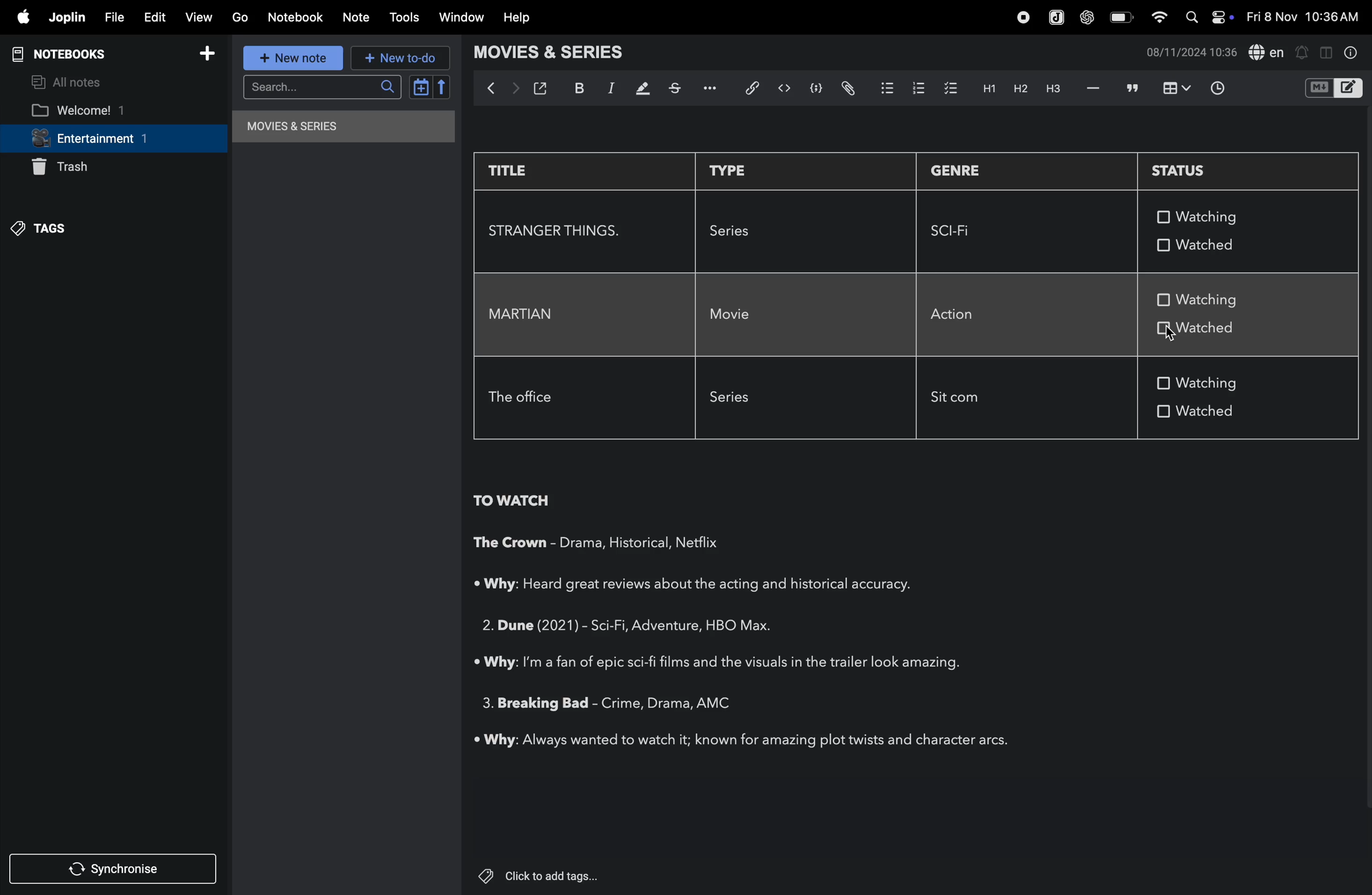  Describe the element at coordinates (715, 87) in the screenshot. I see `options` at that location.